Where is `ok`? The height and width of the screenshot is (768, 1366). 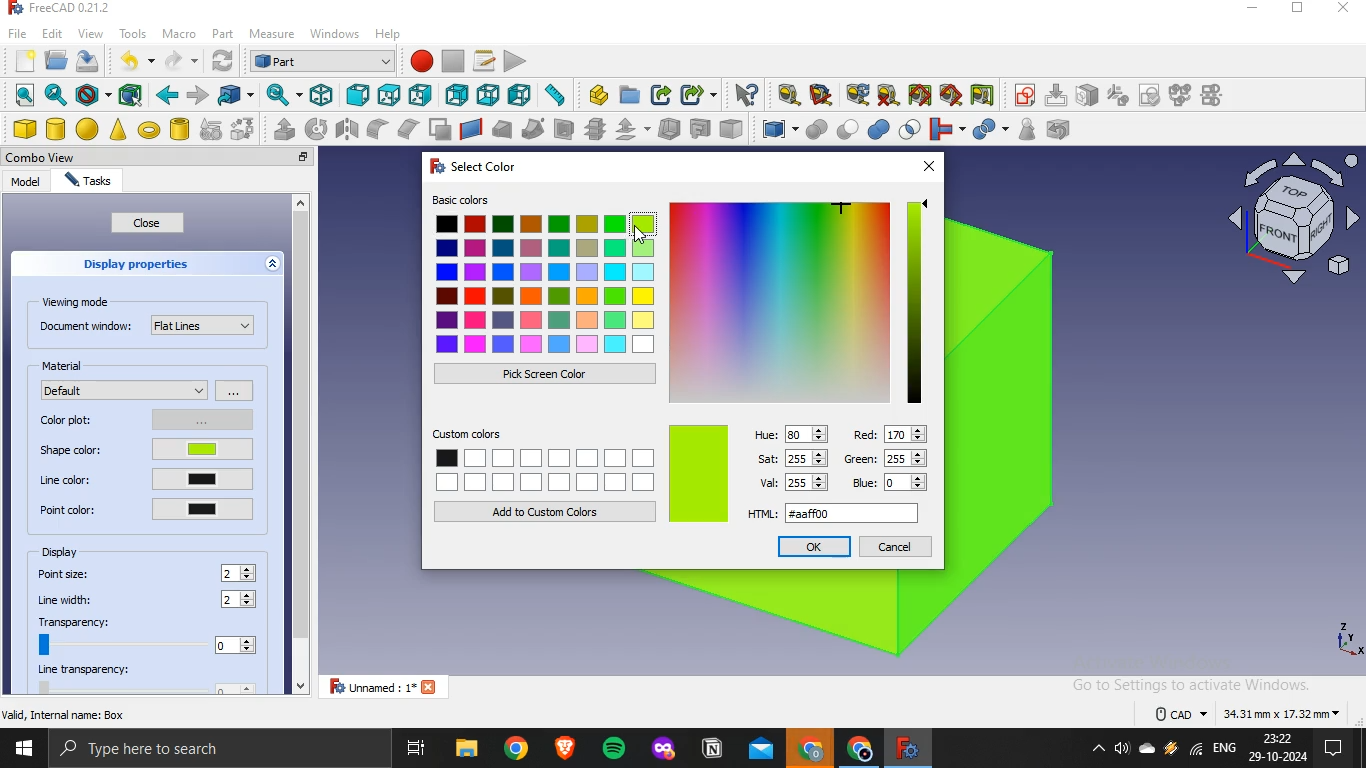 ok is located at coordinates (814, 546).